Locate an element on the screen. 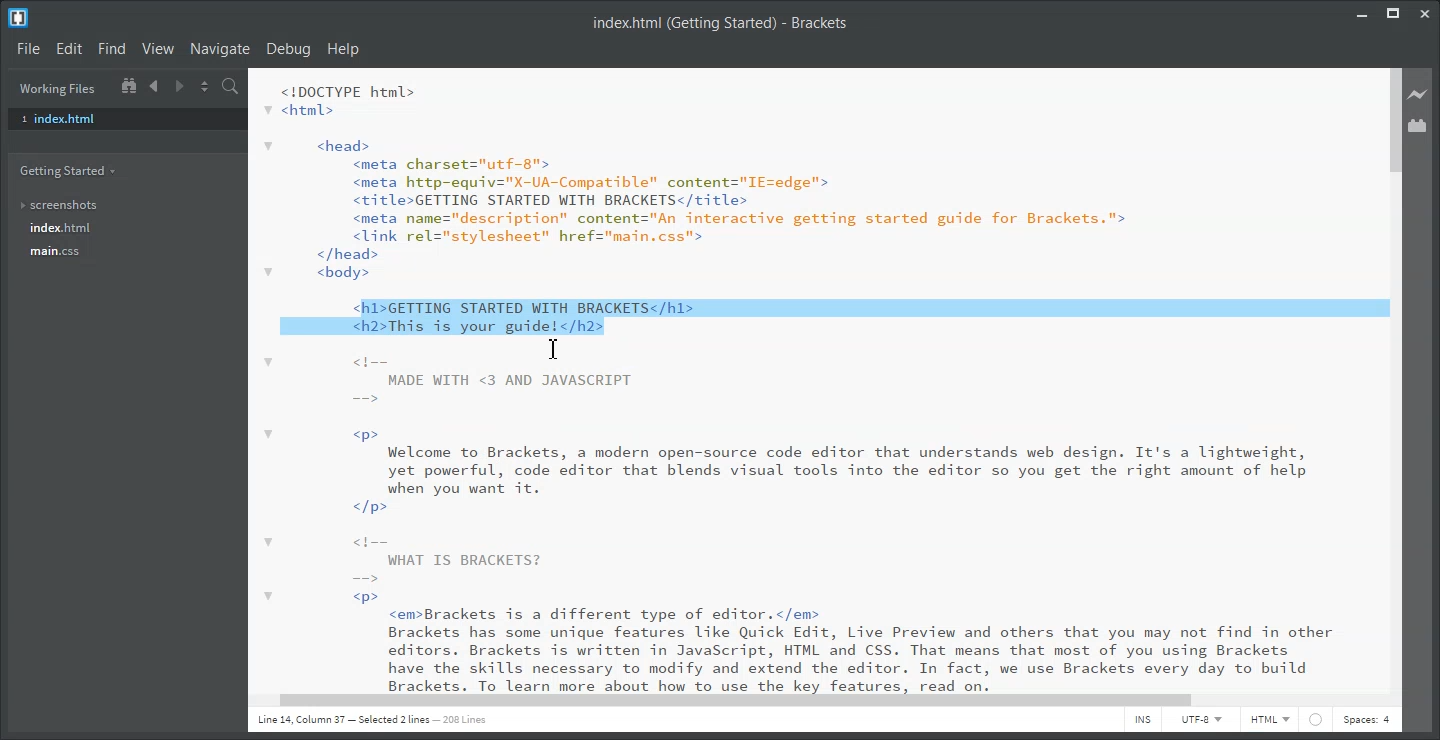 Image resolution: width=1440 pixels, height=740 pixels. Debug is located at coordinates (290, 49).